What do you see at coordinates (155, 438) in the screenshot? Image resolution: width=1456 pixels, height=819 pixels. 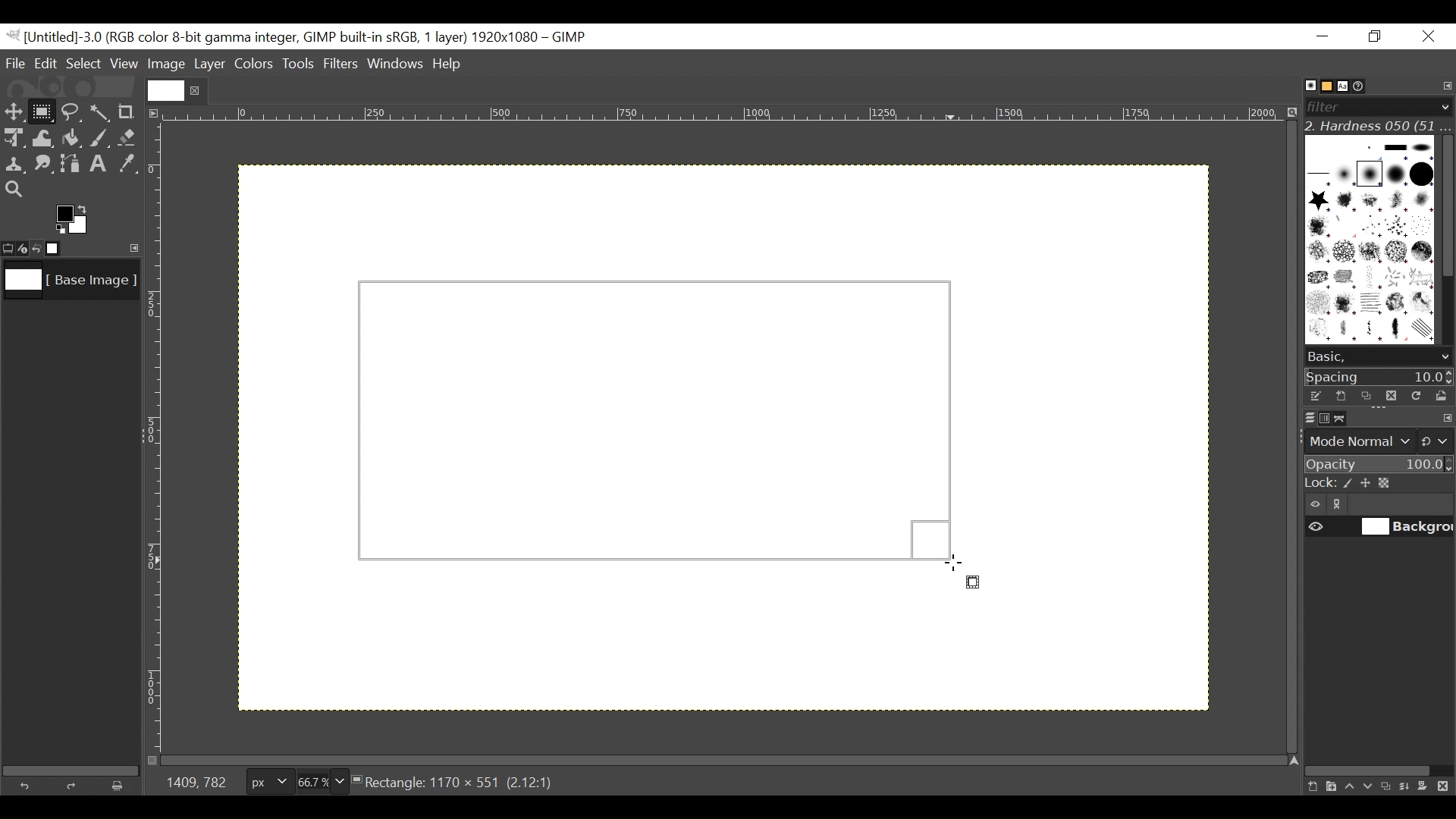 I see `Vertical Ruler` at bounding box center [155, 438].